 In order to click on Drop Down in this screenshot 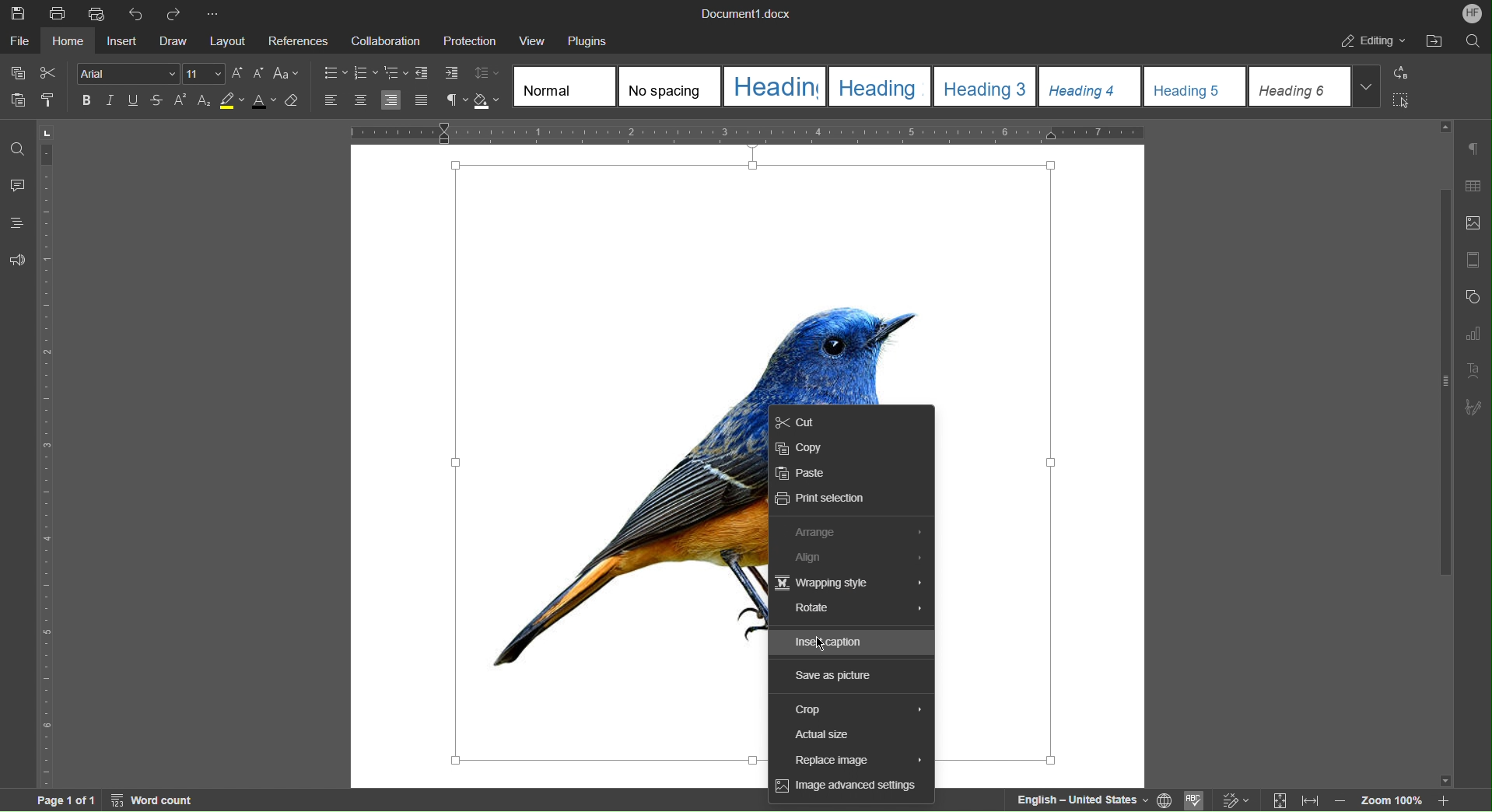, I will do `click(1366, 86)`.